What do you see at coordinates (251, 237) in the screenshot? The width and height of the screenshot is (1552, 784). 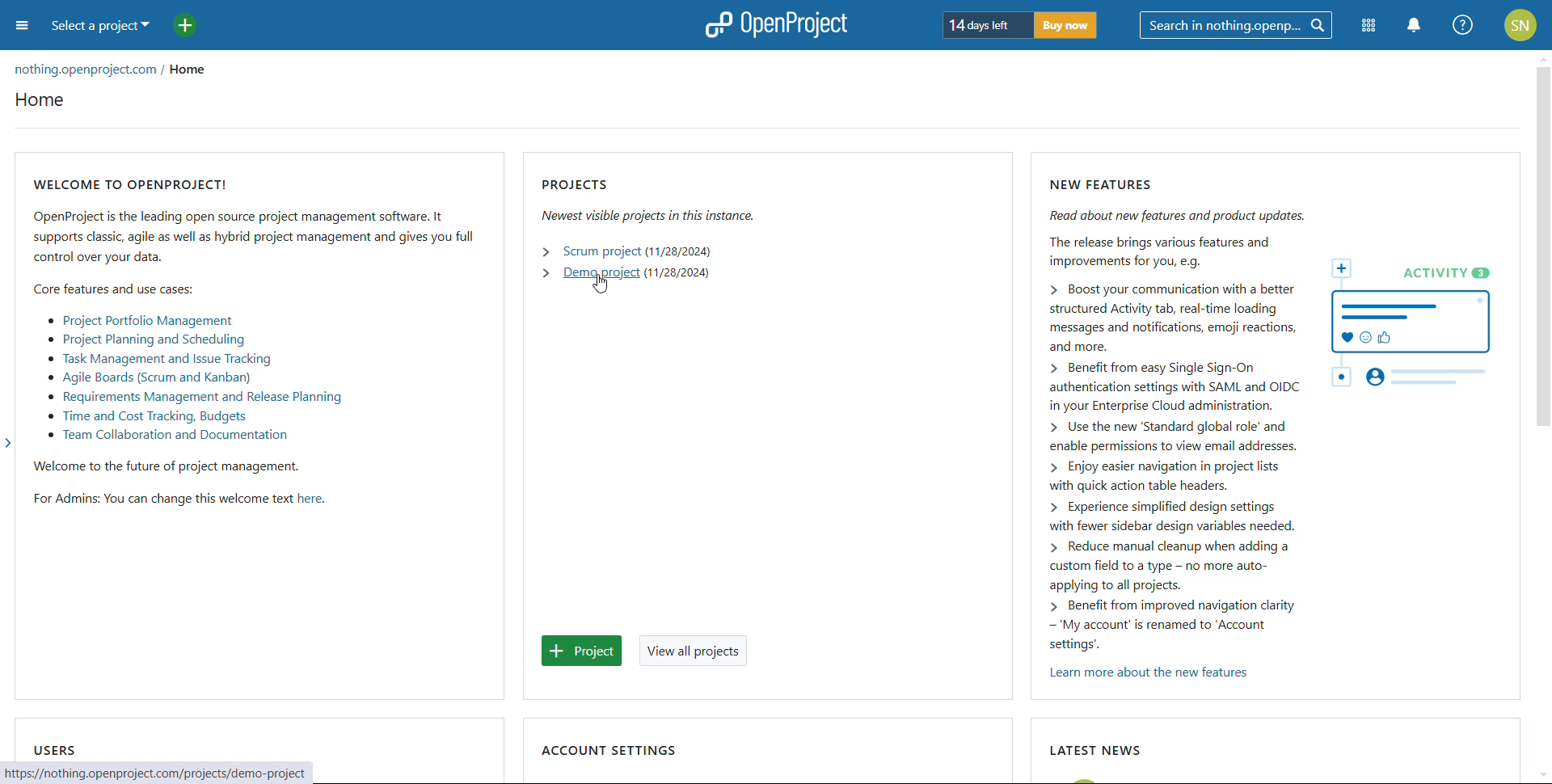 I see `OpenProject is the leading open source project management software. It supports classic, agile as well as hybrid project management and gives you full control over your data.` at bounding box center [251, 237].